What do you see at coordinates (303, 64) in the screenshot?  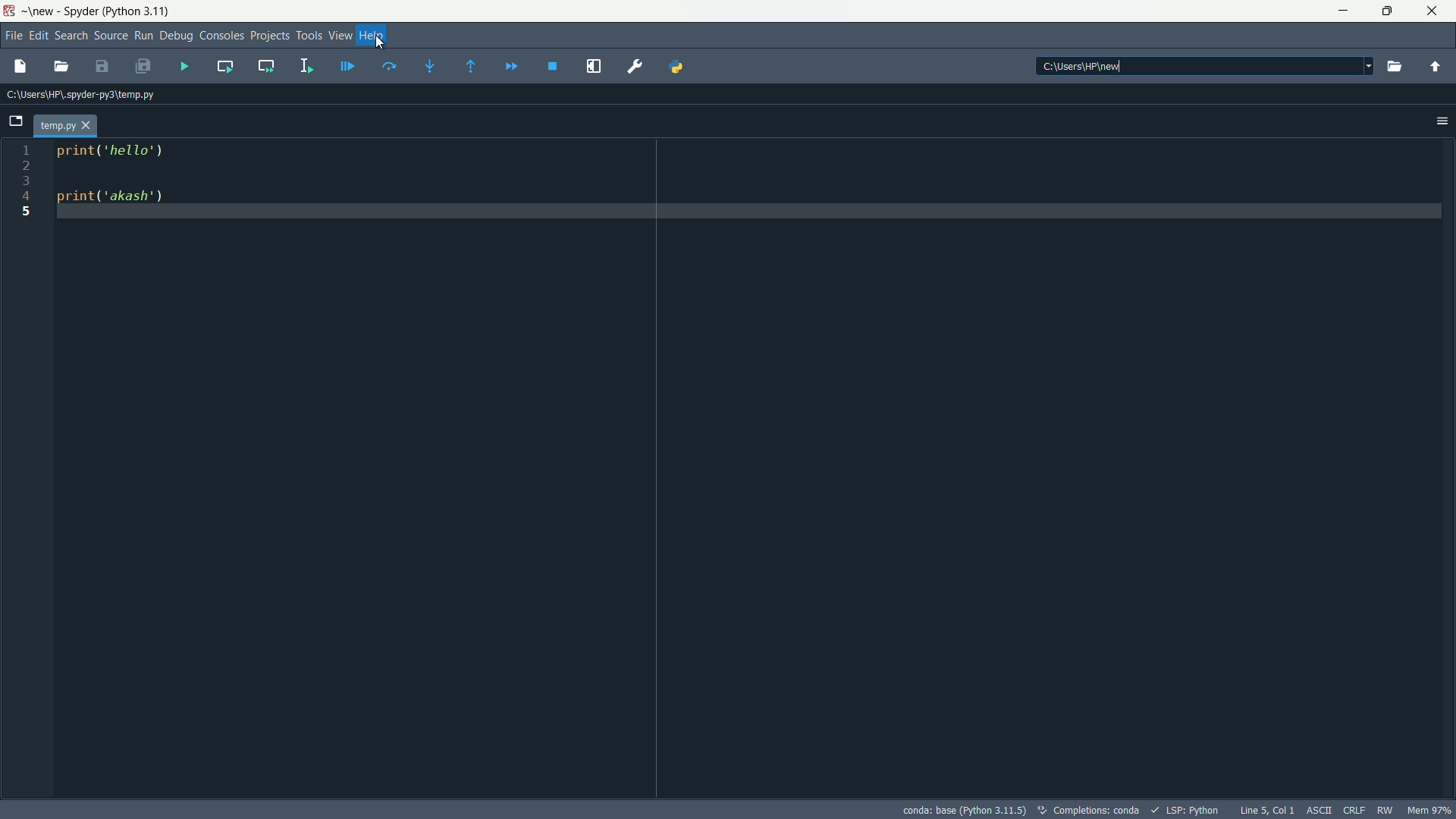 I see `run selection or current line` at bounding box center [303, 64].